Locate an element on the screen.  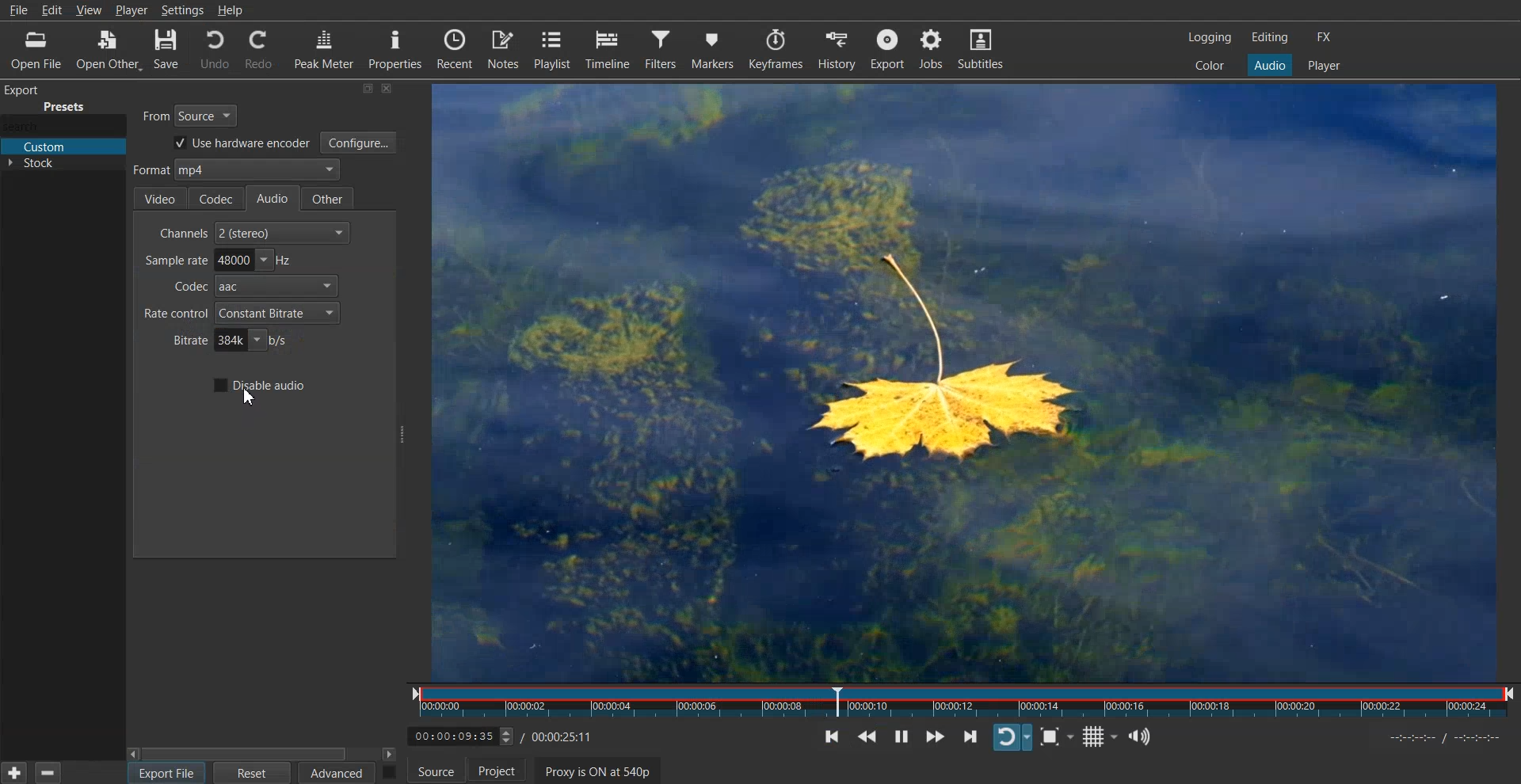
View is located at coordinates (90, 9).